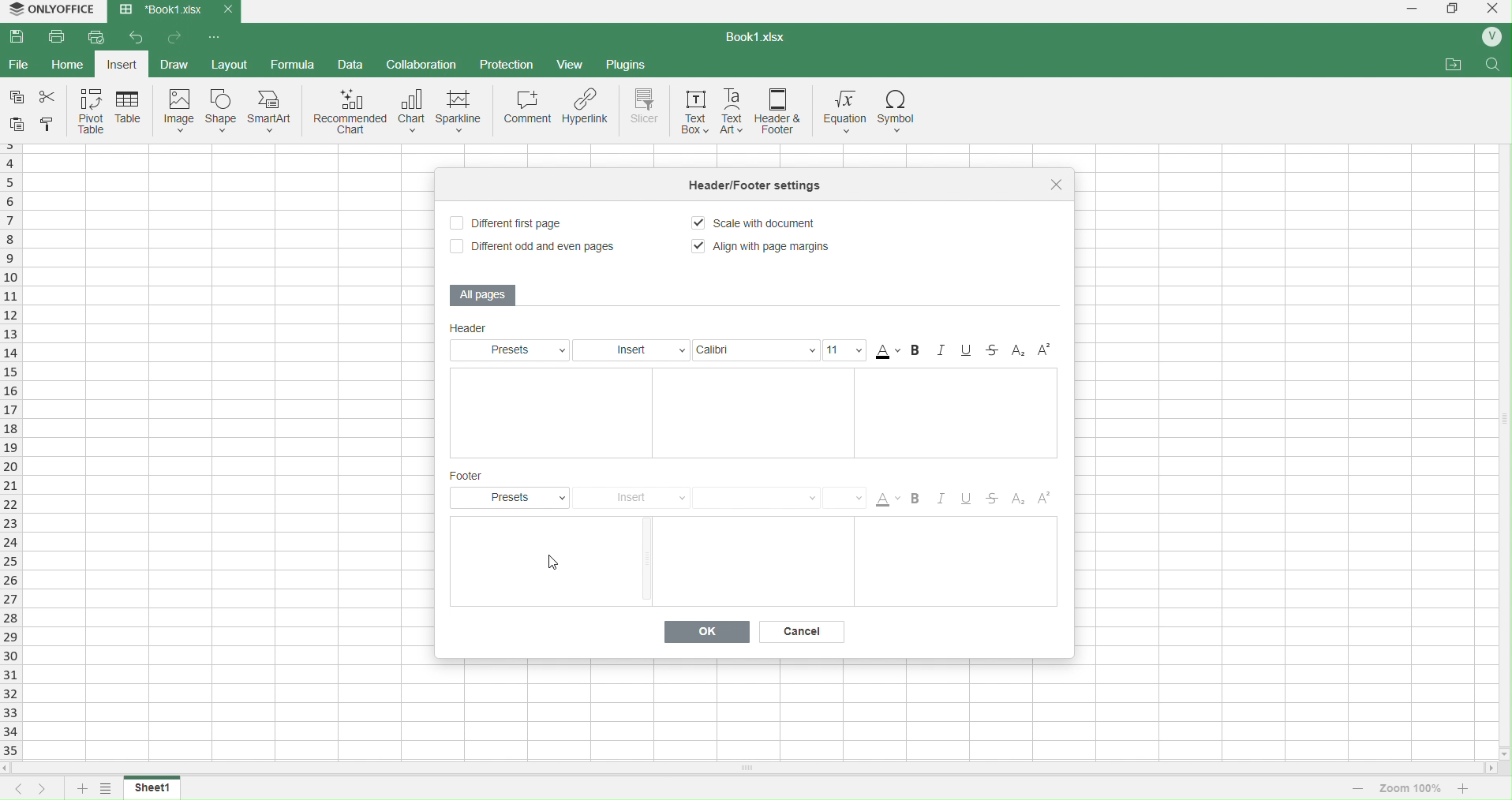 This screenshot has width=1512, height=800. Describe the element at coordinates (19, 64) in the screenshot. I see `file` at that location.